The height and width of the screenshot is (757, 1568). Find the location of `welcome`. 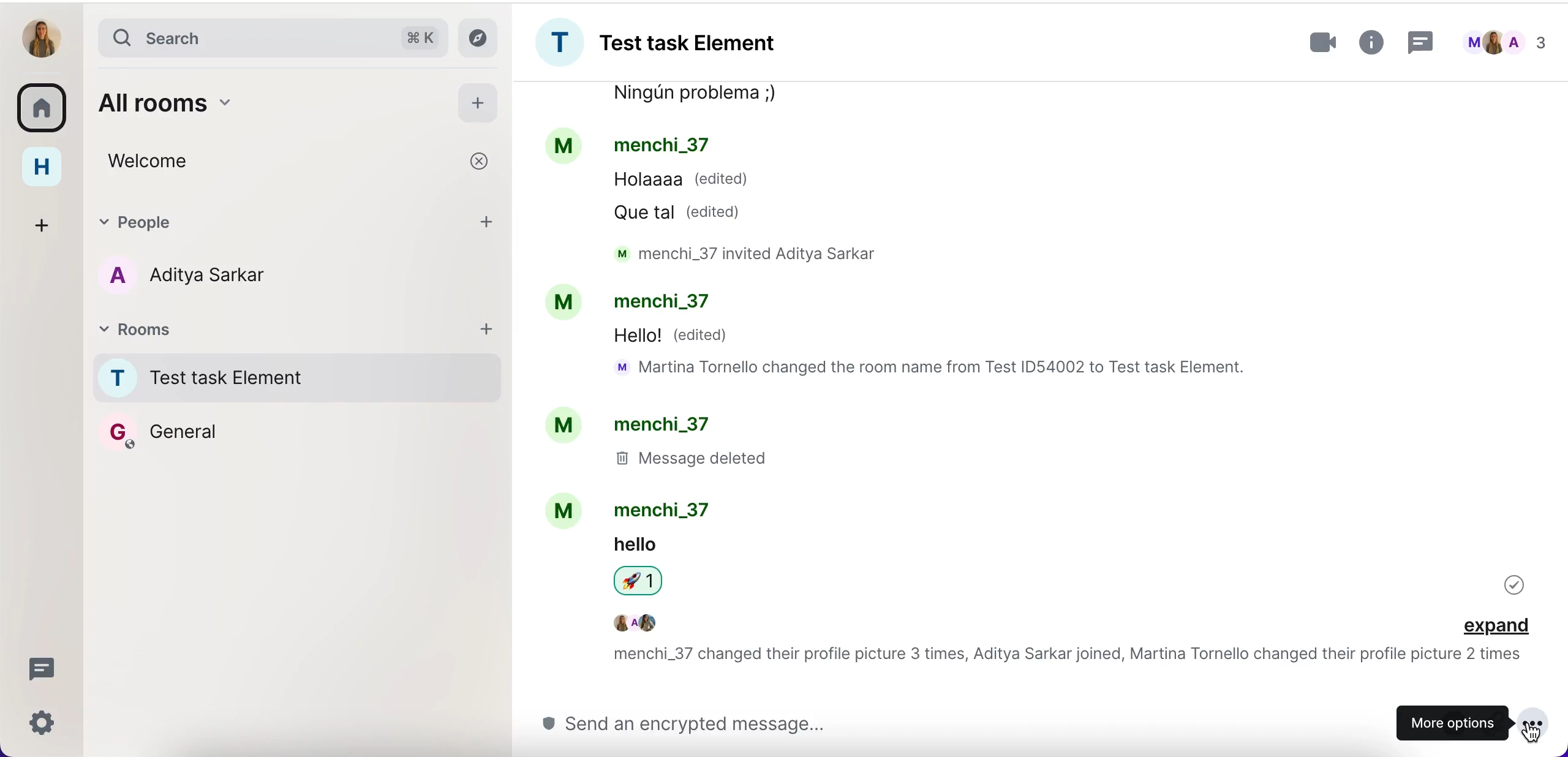

welcome is located at coordinates (242, 160).